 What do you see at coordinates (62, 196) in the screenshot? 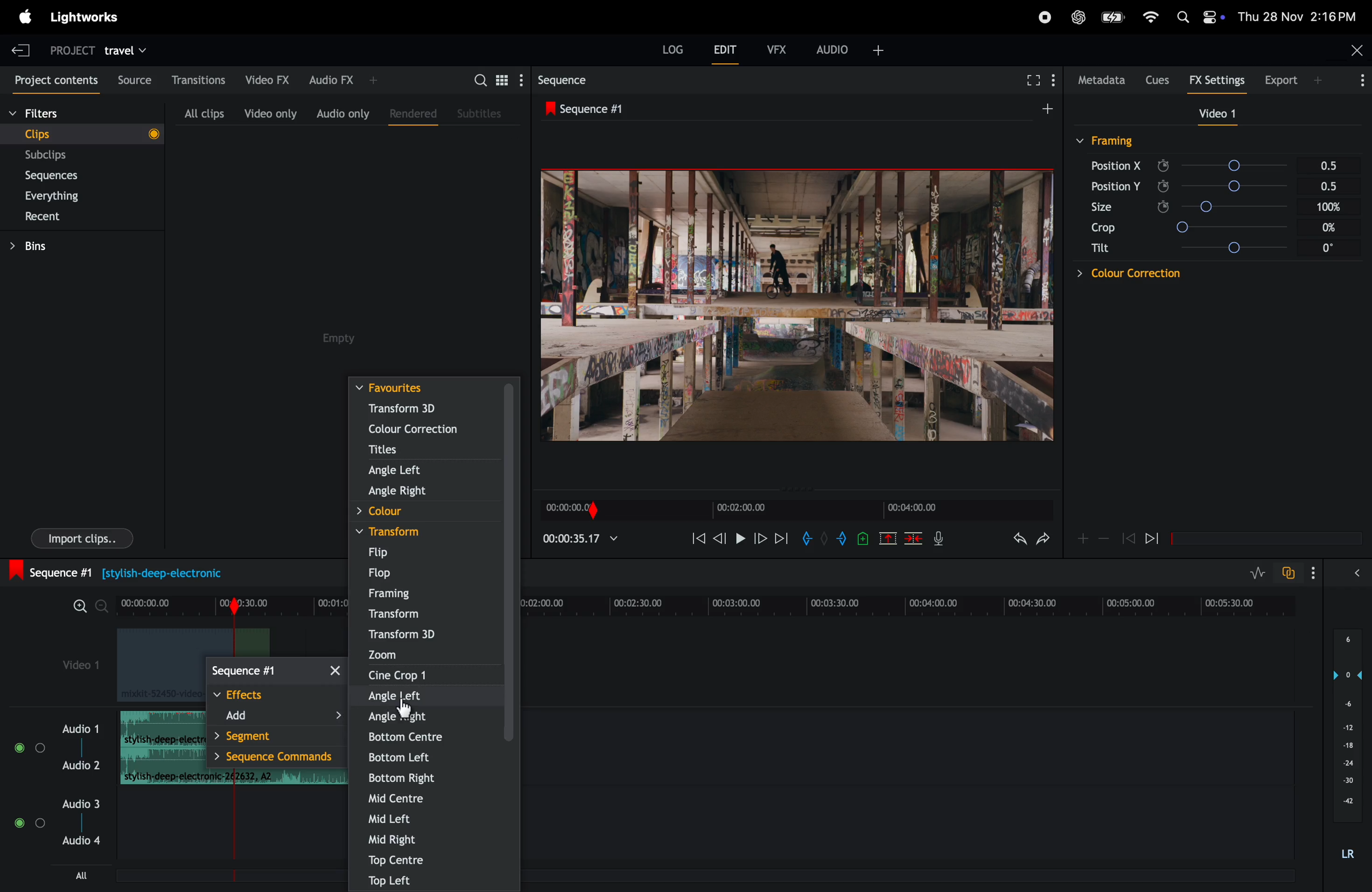
I see `everything` at bounding box center [62, 196].